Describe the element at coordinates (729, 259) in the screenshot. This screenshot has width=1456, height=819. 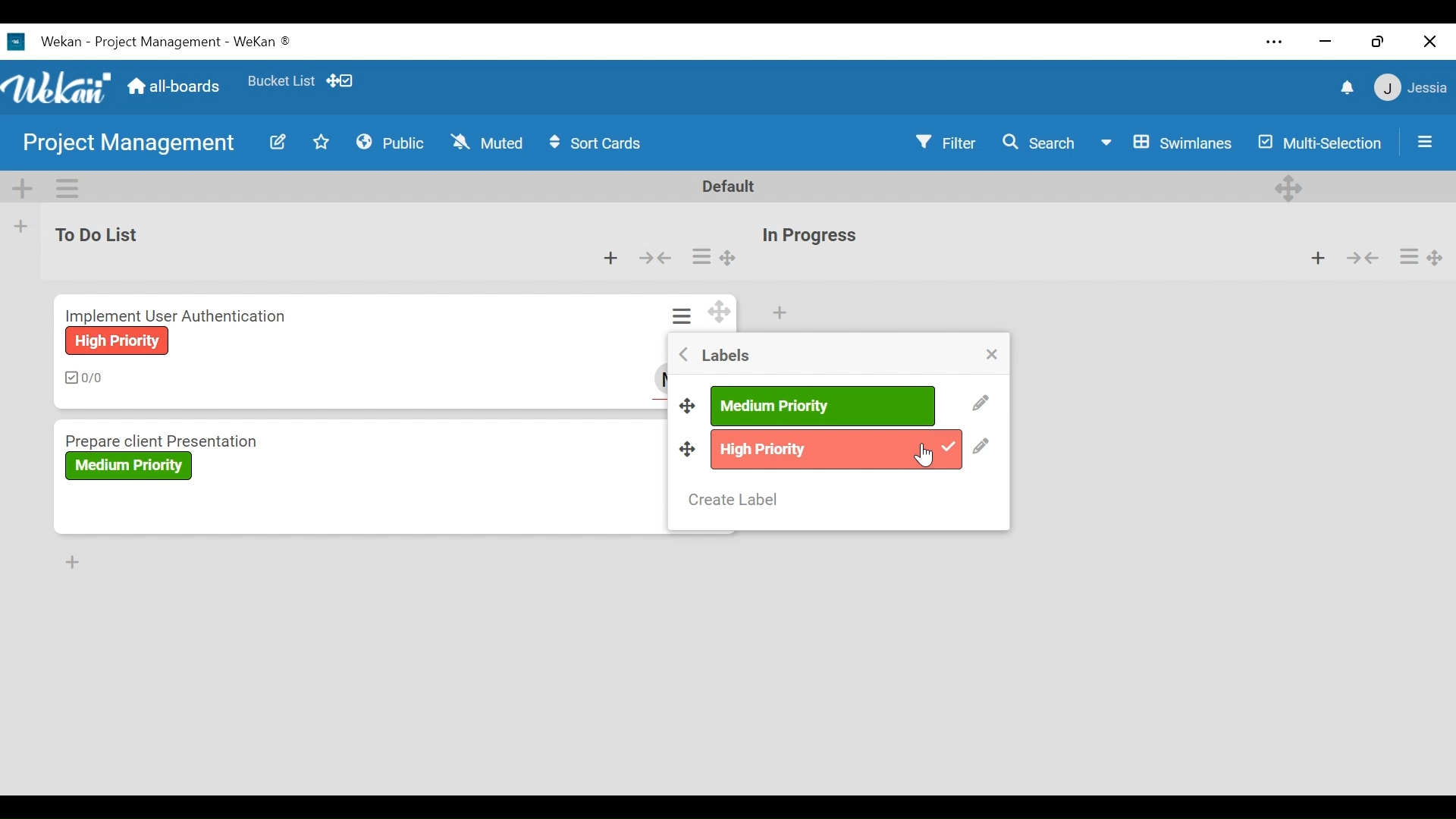
I see `Desktop drag handle` at that location.